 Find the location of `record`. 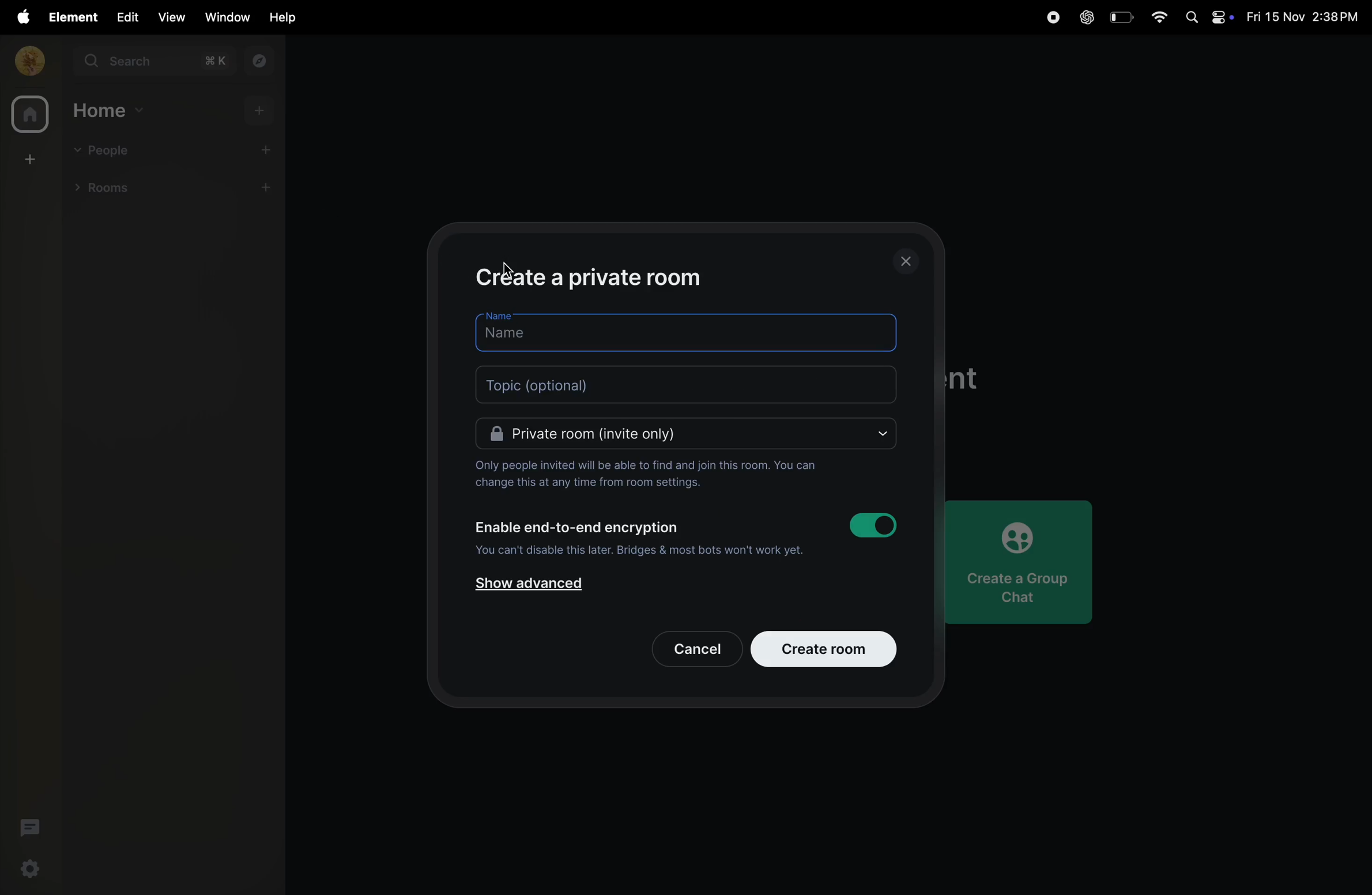

record is located at coordinates (1048, 18).